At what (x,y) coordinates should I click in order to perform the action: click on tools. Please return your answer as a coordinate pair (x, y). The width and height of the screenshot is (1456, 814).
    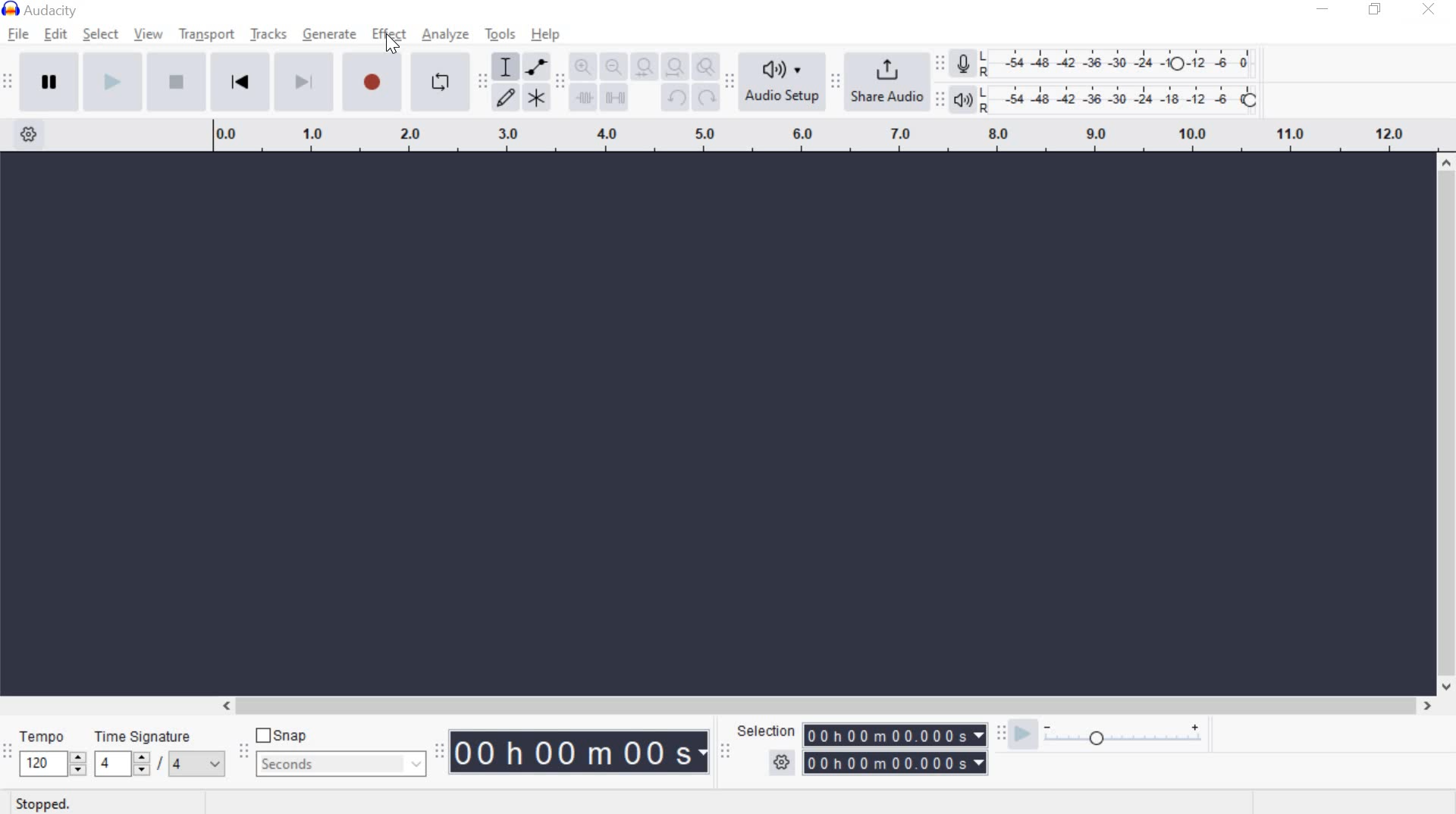
    Looking at the image, I should click on (501, 33).